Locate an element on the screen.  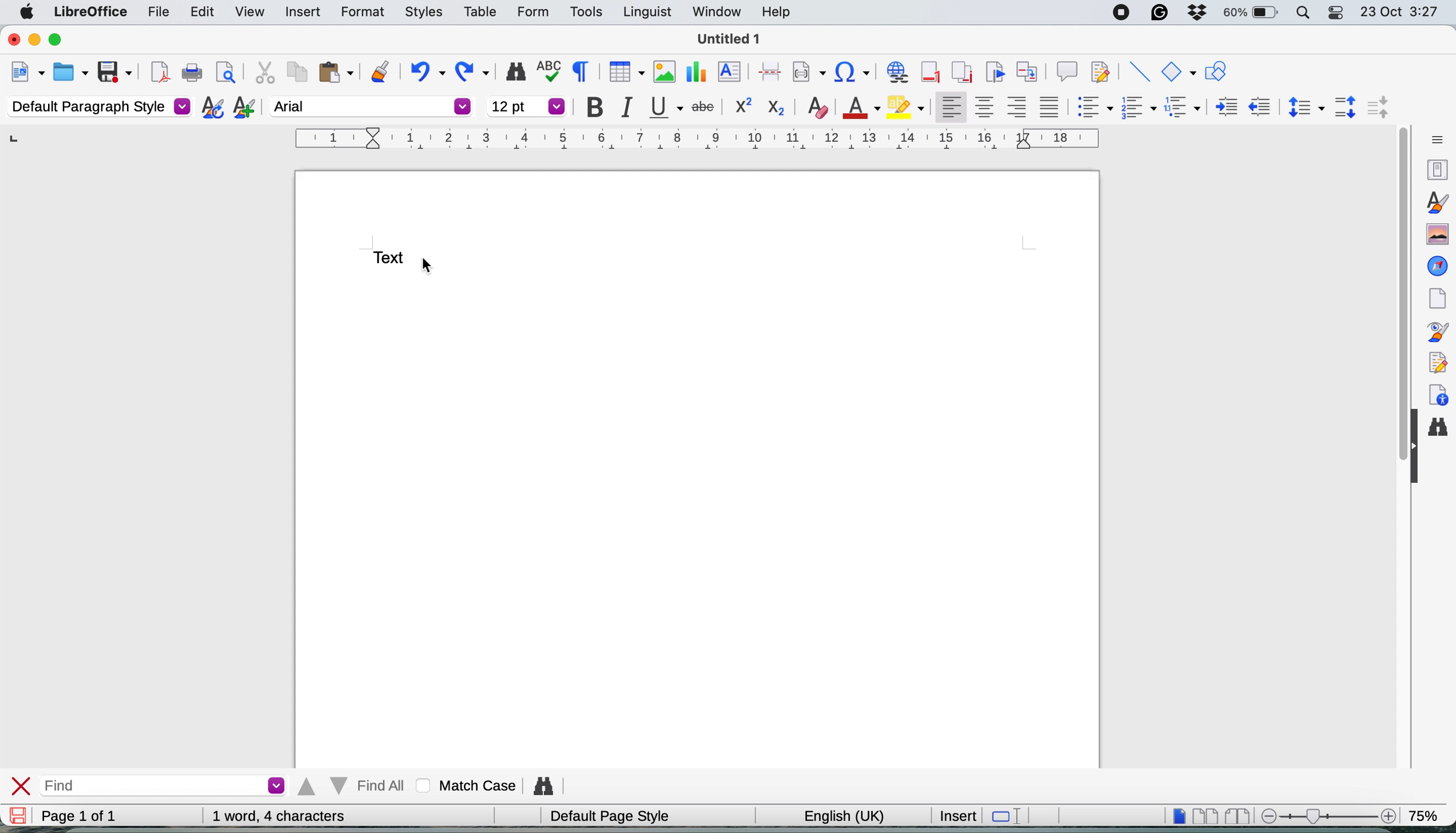
system logo is located at coordinates (27, 12).